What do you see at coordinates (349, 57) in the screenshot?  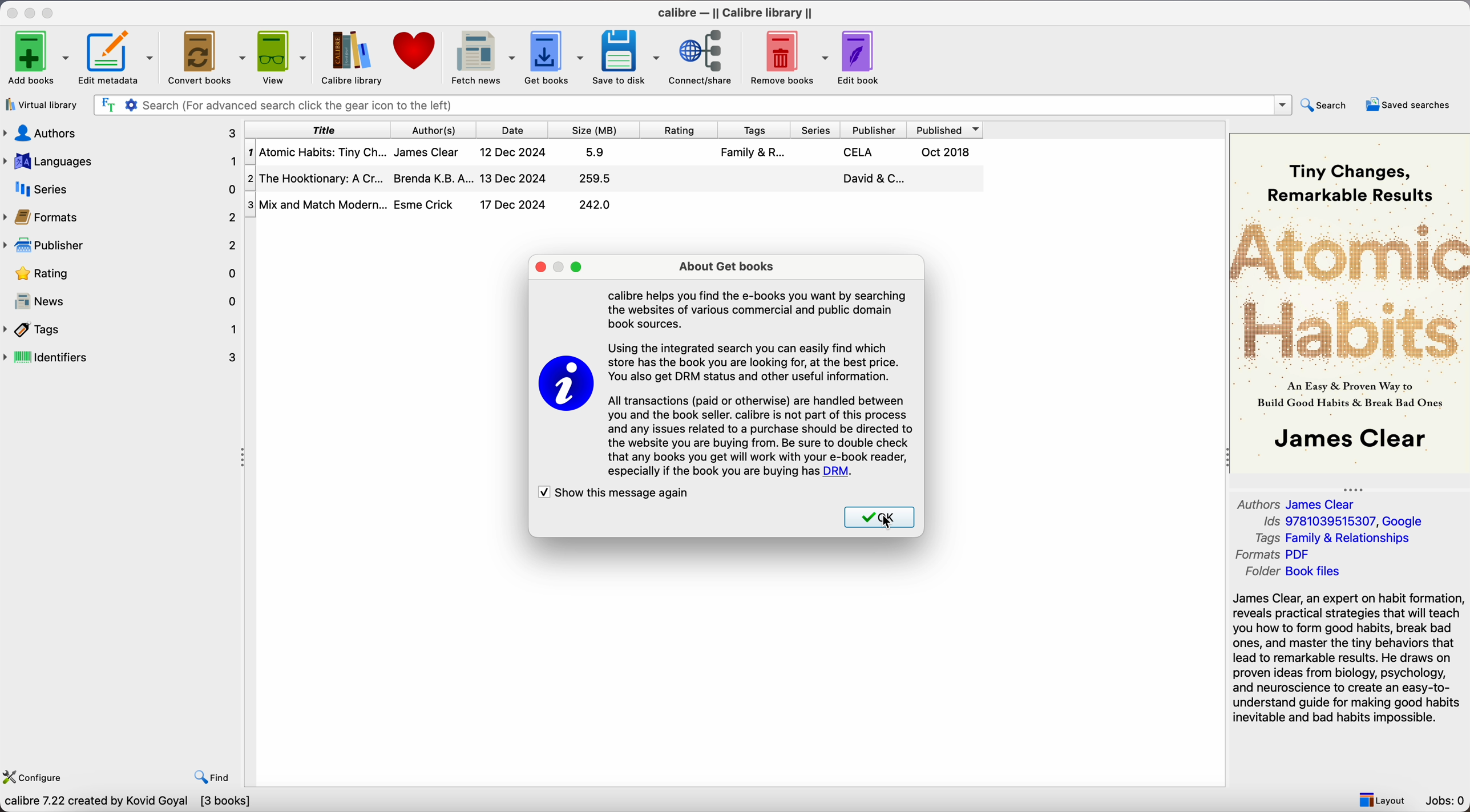 I see `Calibre library` at bounding box center [349, 57].